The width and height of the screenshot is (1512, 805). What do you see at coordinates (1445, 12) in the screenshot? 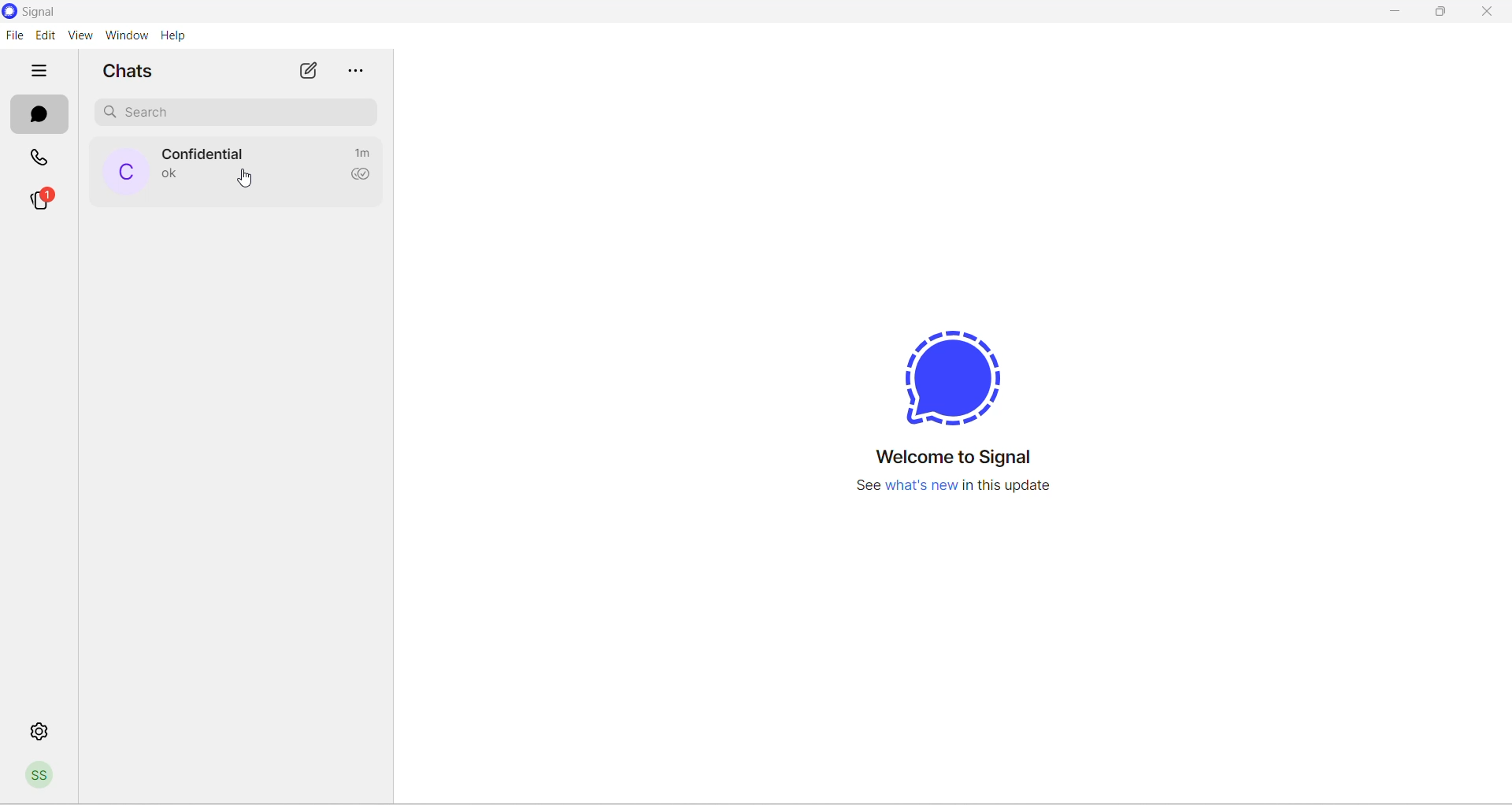
I see `maximize` at bounding box center [1445, 12].